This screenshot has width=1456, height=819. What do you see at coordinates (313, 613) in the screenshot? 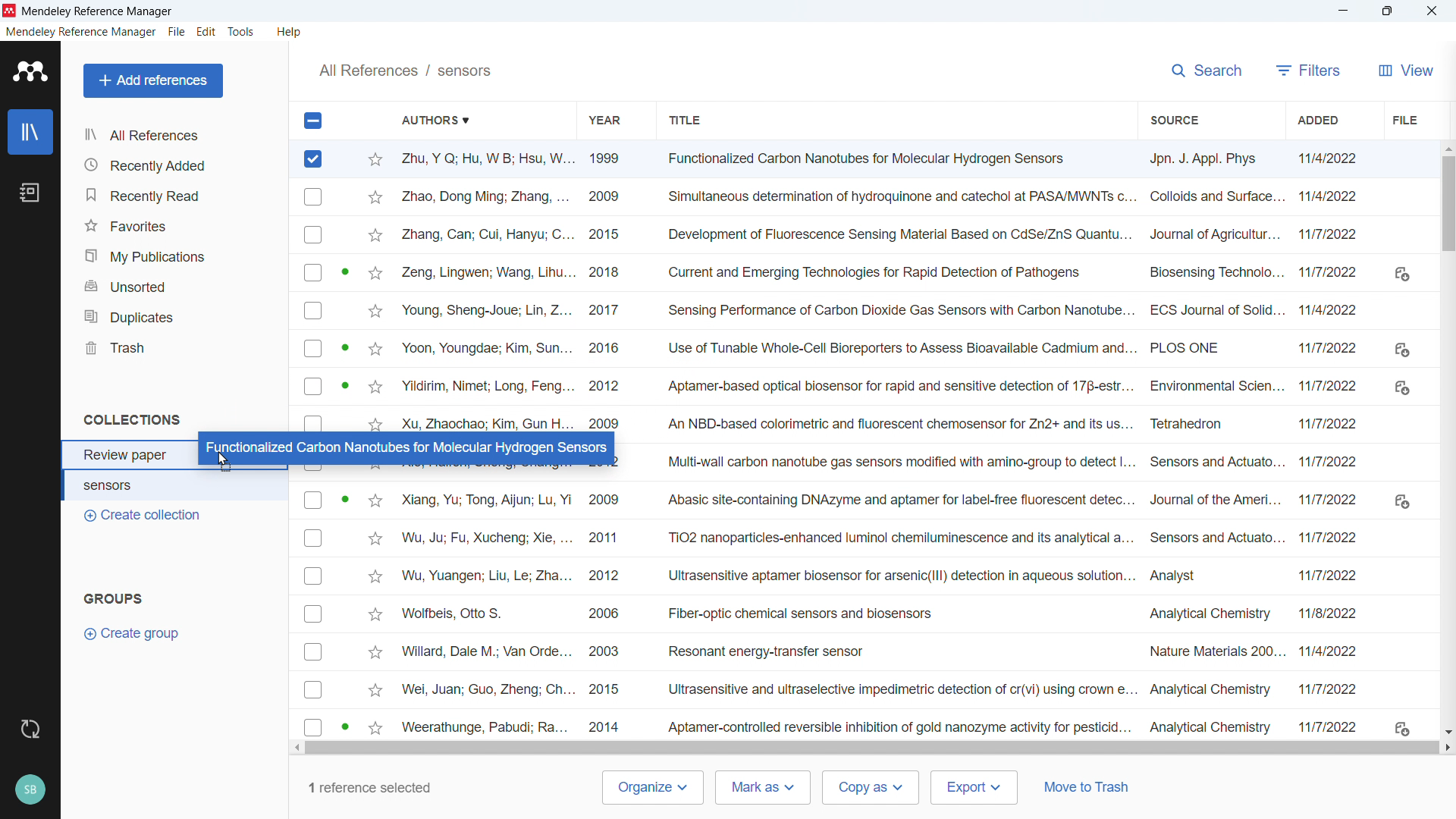
I see `Select individual entries ` at bounding box center [313, 613].